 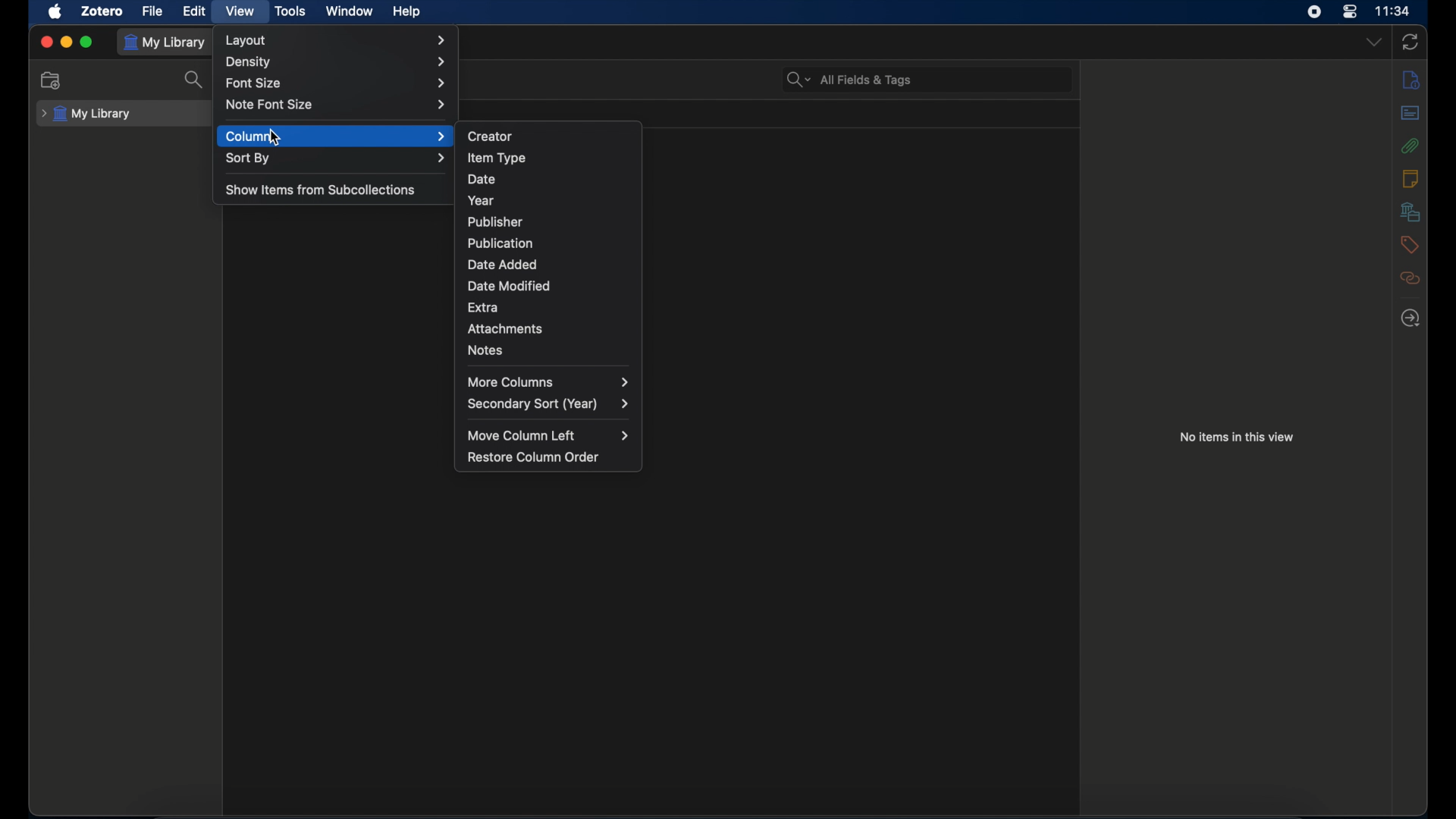 I want to click on minimize, so click(x=67, y=43).